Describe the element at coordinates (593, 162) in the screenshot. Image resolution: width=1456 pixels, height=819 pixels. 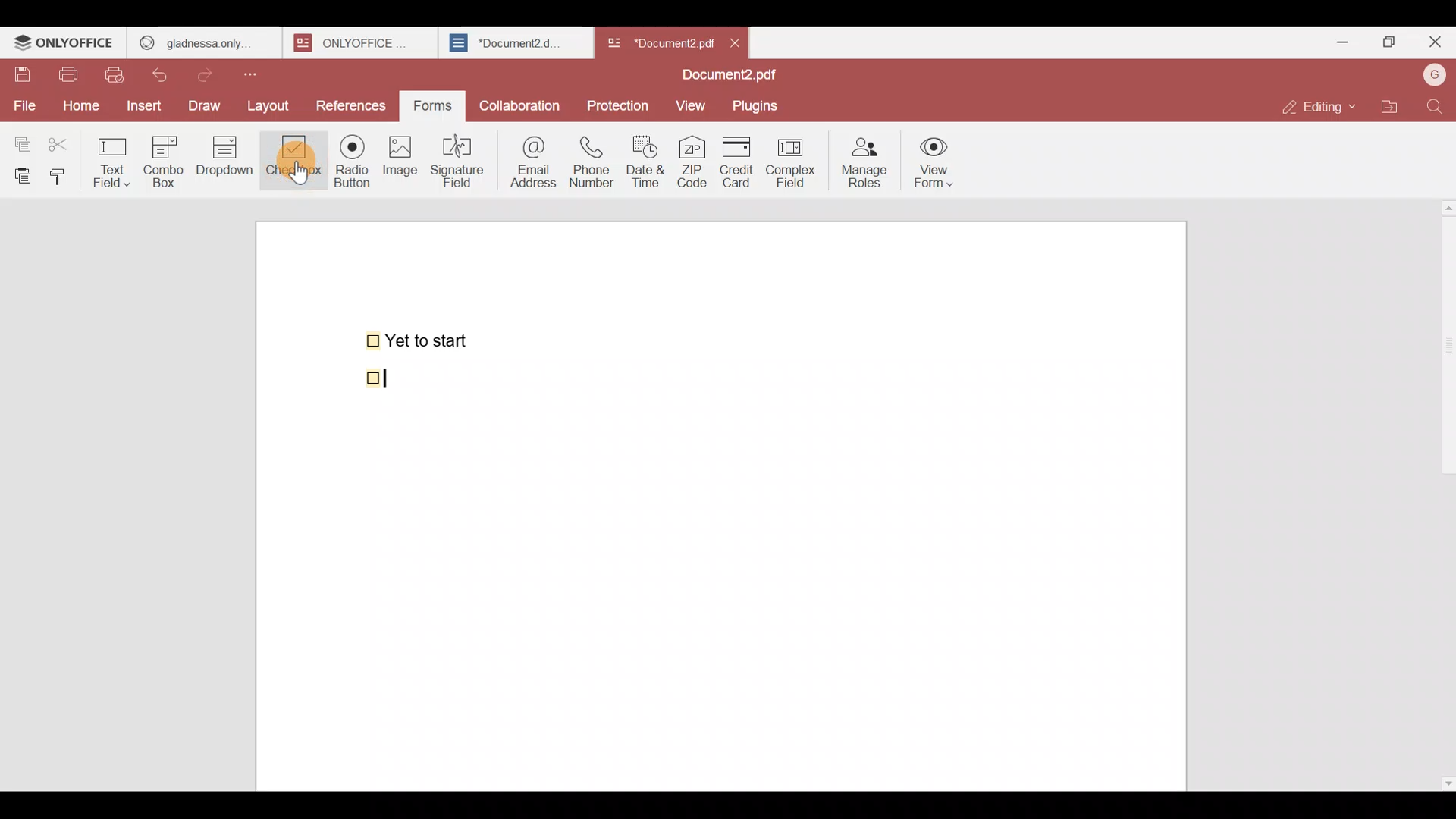
I see `Phone number` at that location.